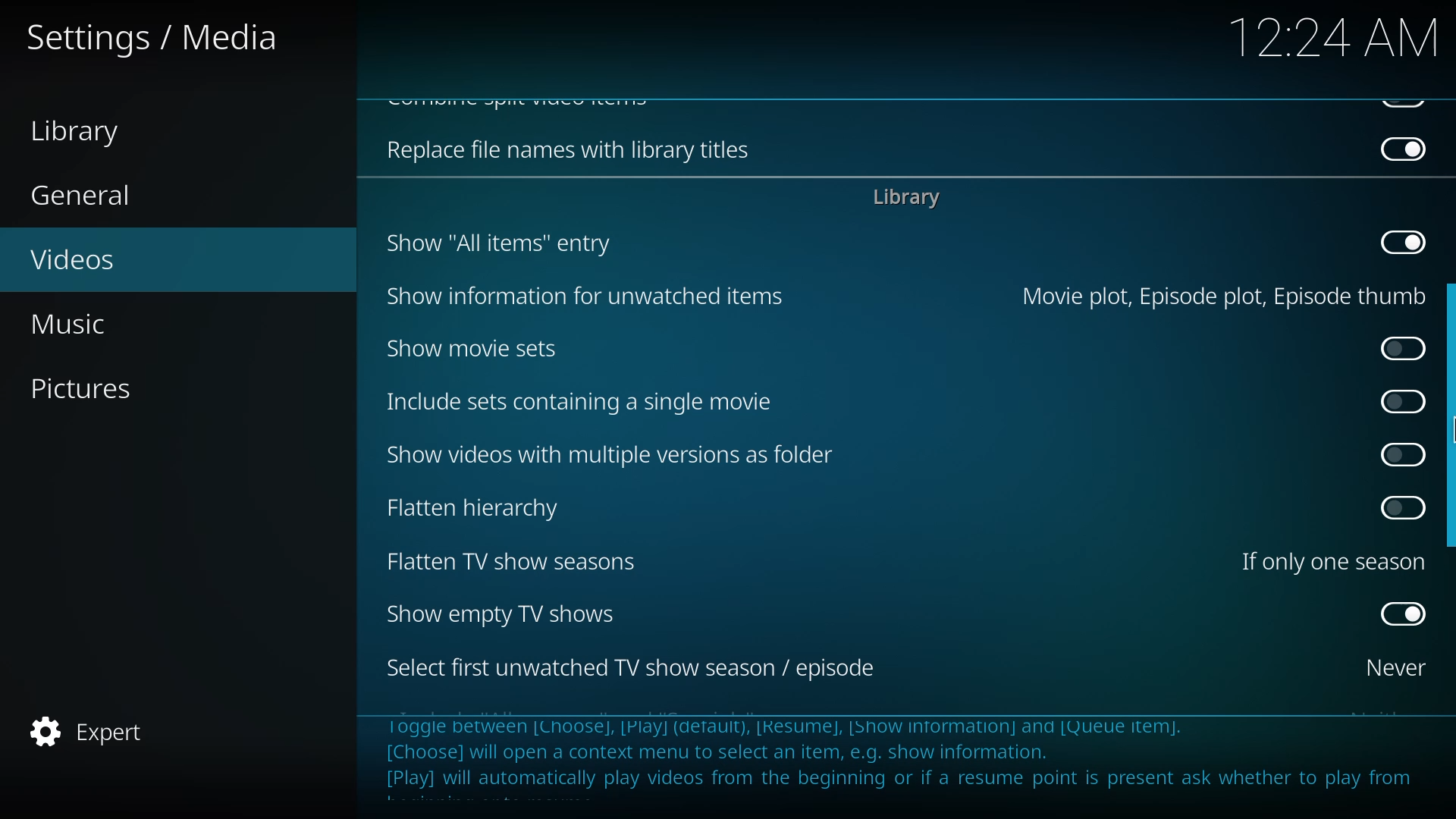  I want to click on replace, so click(560, 152).